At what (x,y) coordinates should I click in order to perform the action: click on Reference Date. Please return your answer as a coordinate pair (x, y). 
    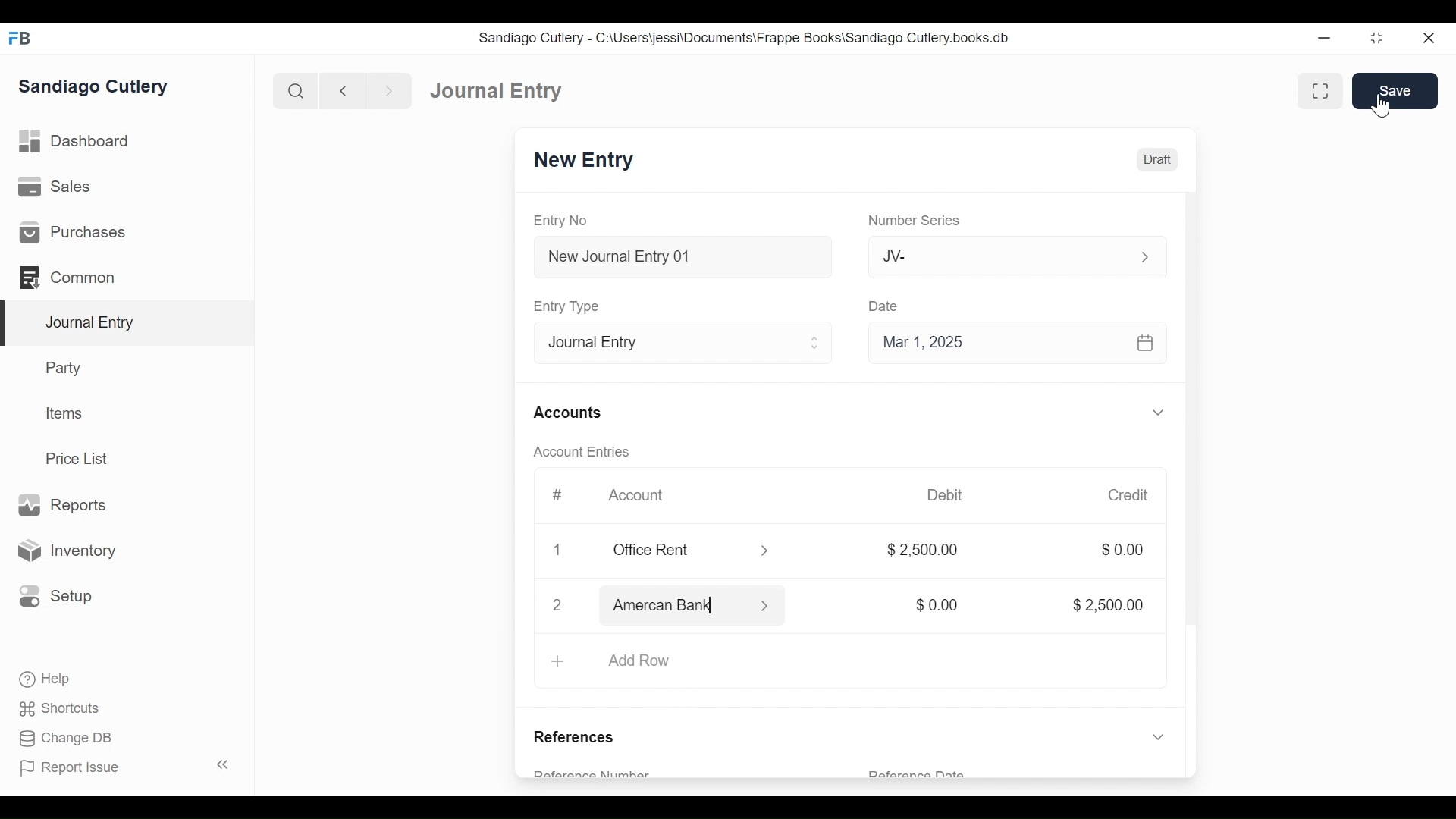
    Looking at the image, I should click on (918, 774).